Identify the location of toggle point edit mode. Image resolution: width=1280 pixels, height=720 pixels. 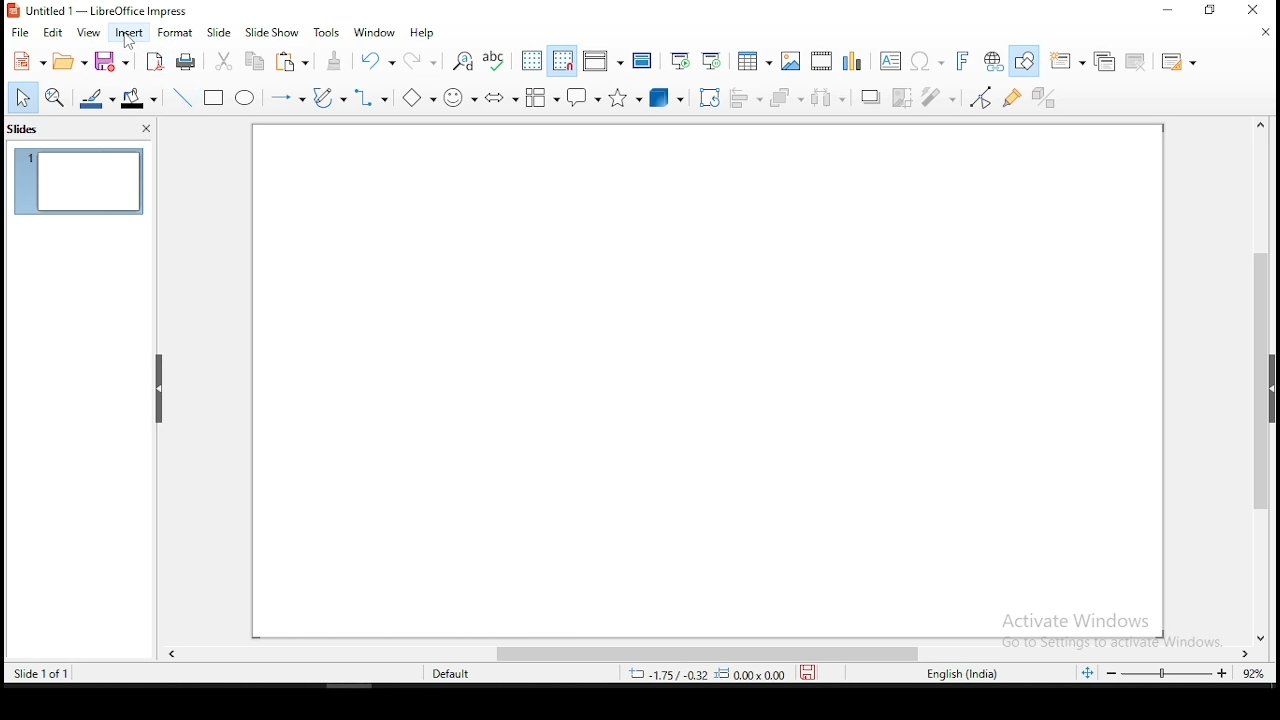
(982, 95).